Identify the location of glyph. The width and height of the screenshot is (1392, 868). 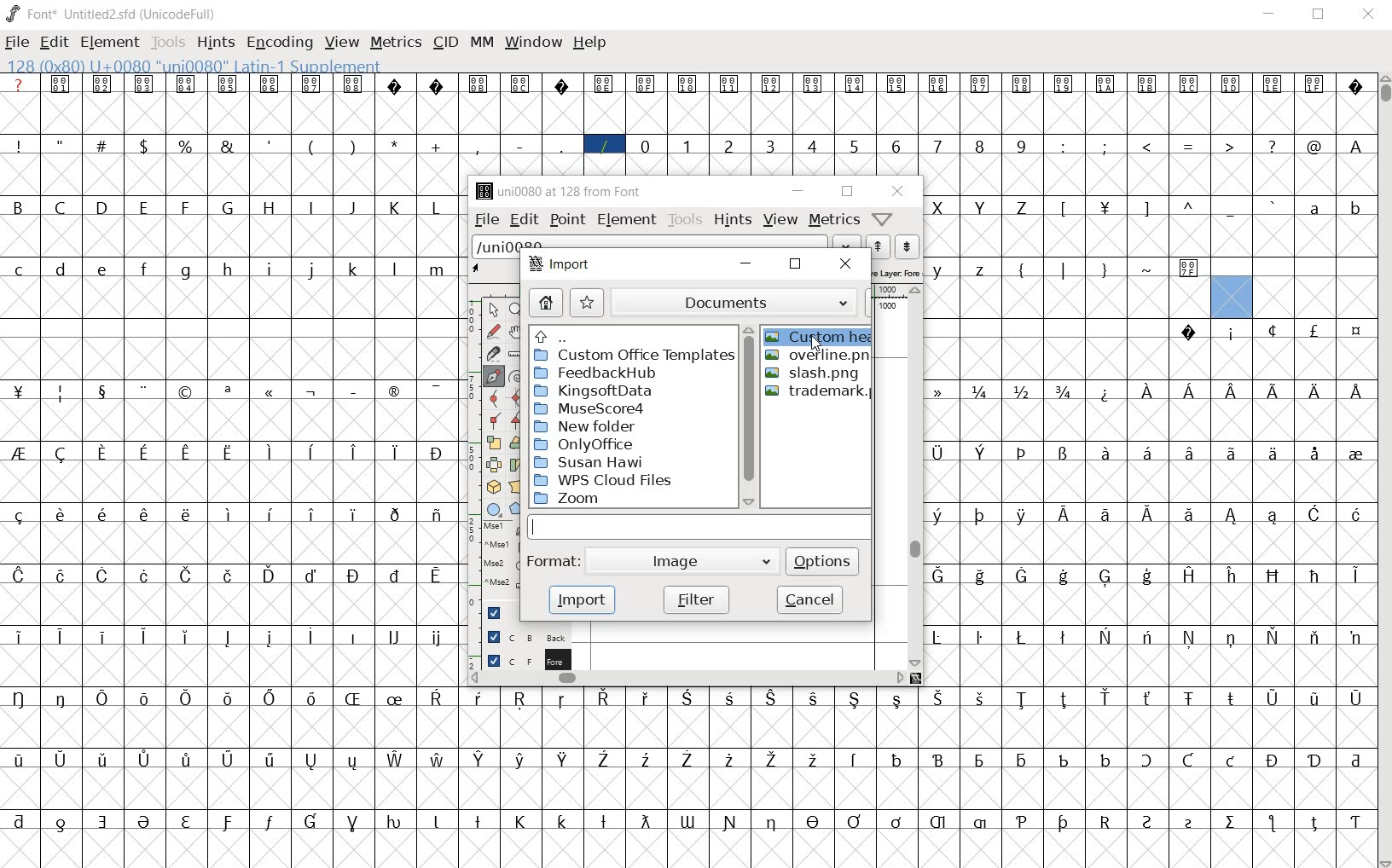
(61, 576).